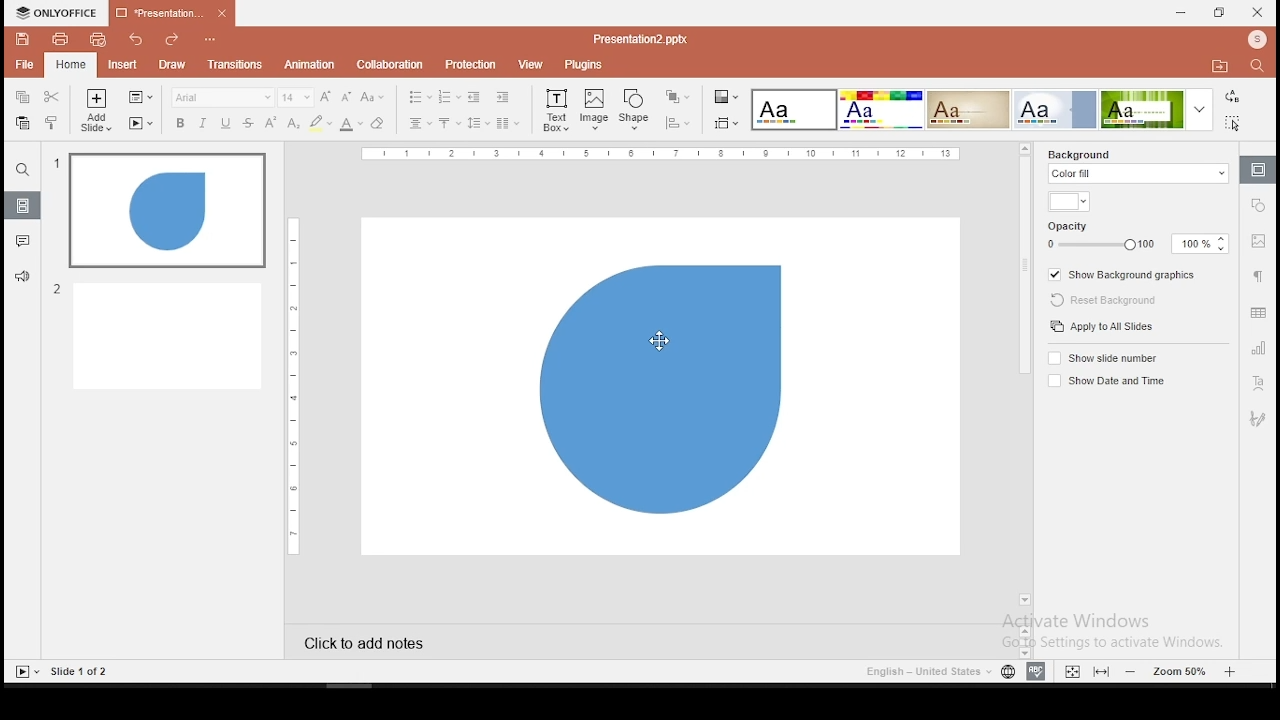 Image resolution: width=1280 pixels, height=720 pixels. What do you see at coordinates (21, 240) in the screenshot?
I see `comments` at bounding box center [21, 240].